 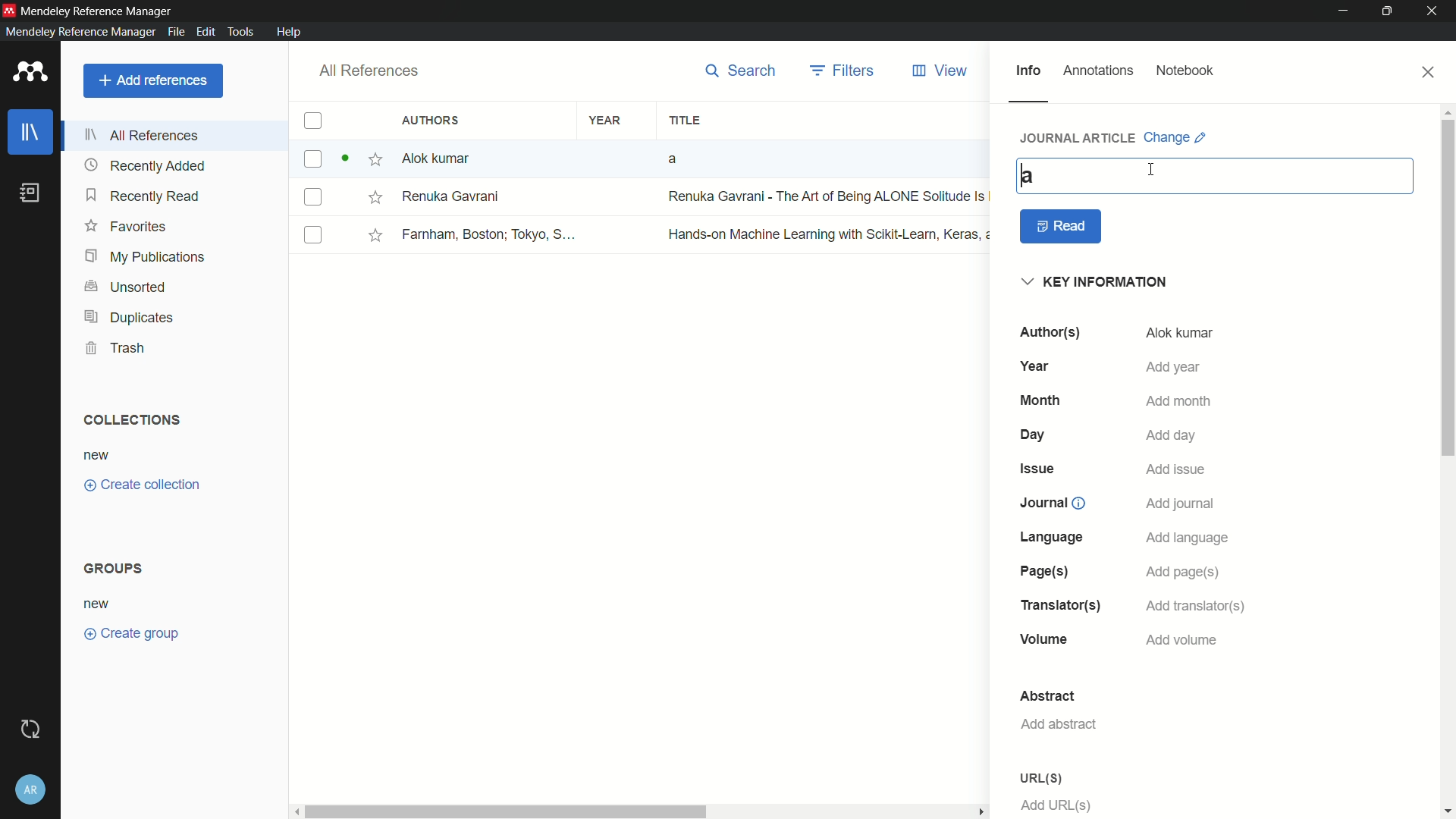 What do you see at coordinates (1035, 435) in the screenshot?
I see `day` at bounding box center [1035, 435].